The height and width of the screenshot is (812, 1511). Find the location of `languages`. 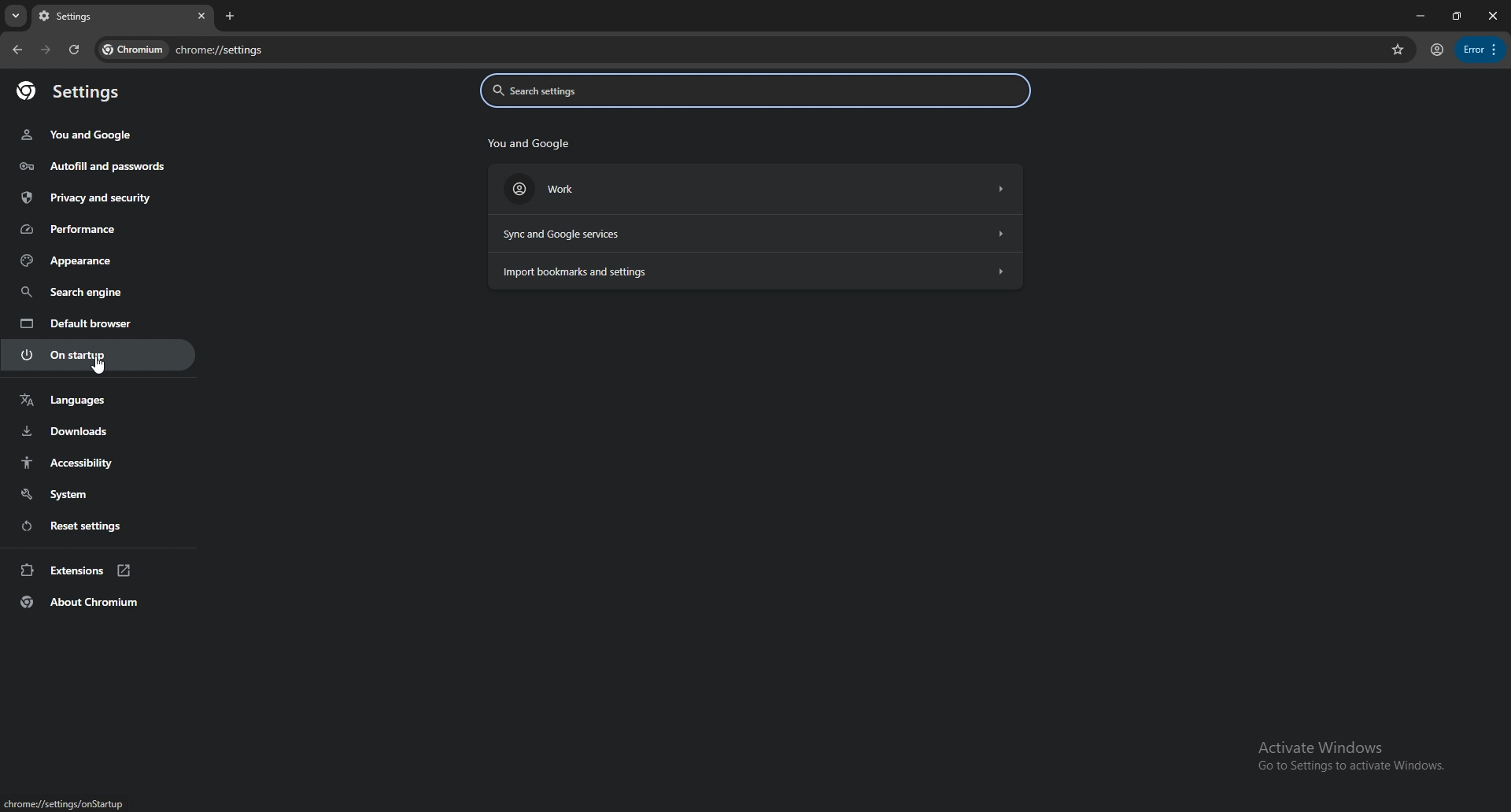

languages is located at coordinates (98, 400).